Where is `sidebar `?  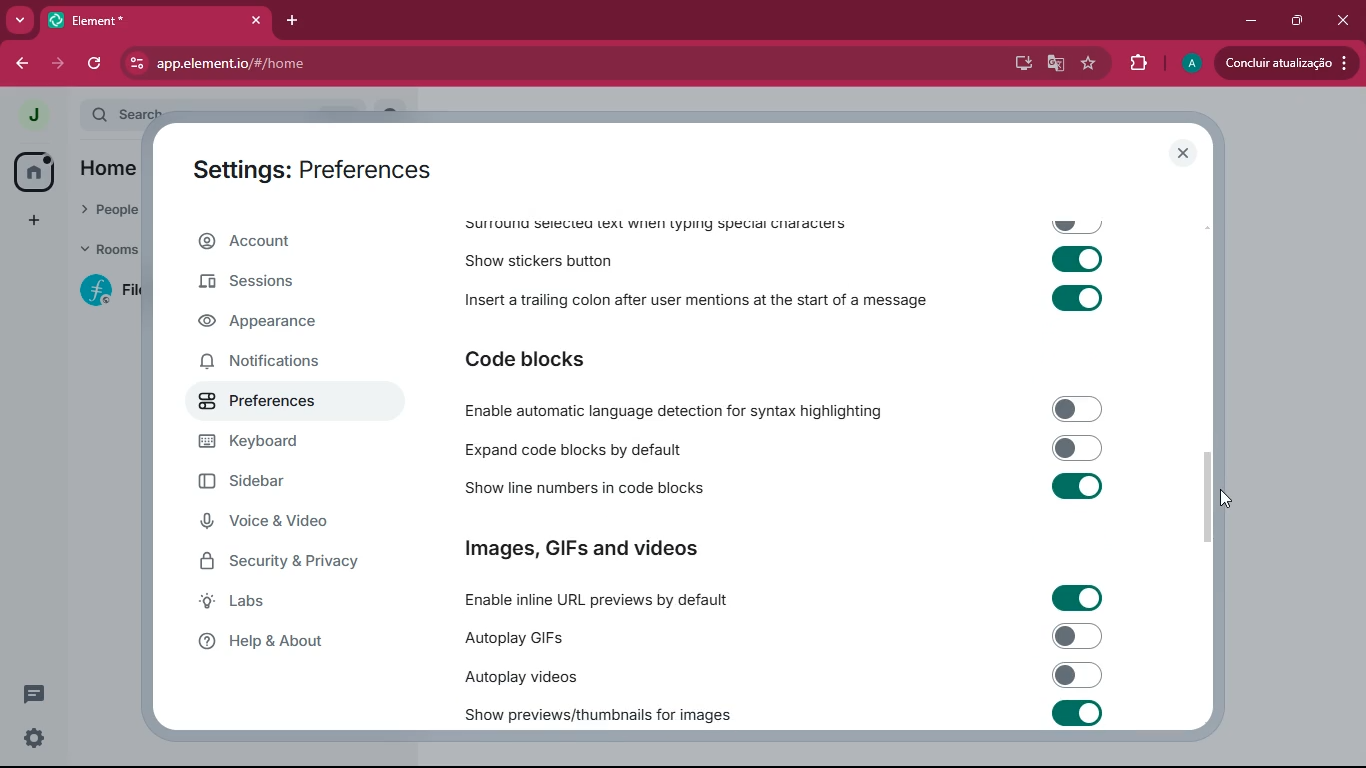
sidebar  is located at coordinates (284, 484).